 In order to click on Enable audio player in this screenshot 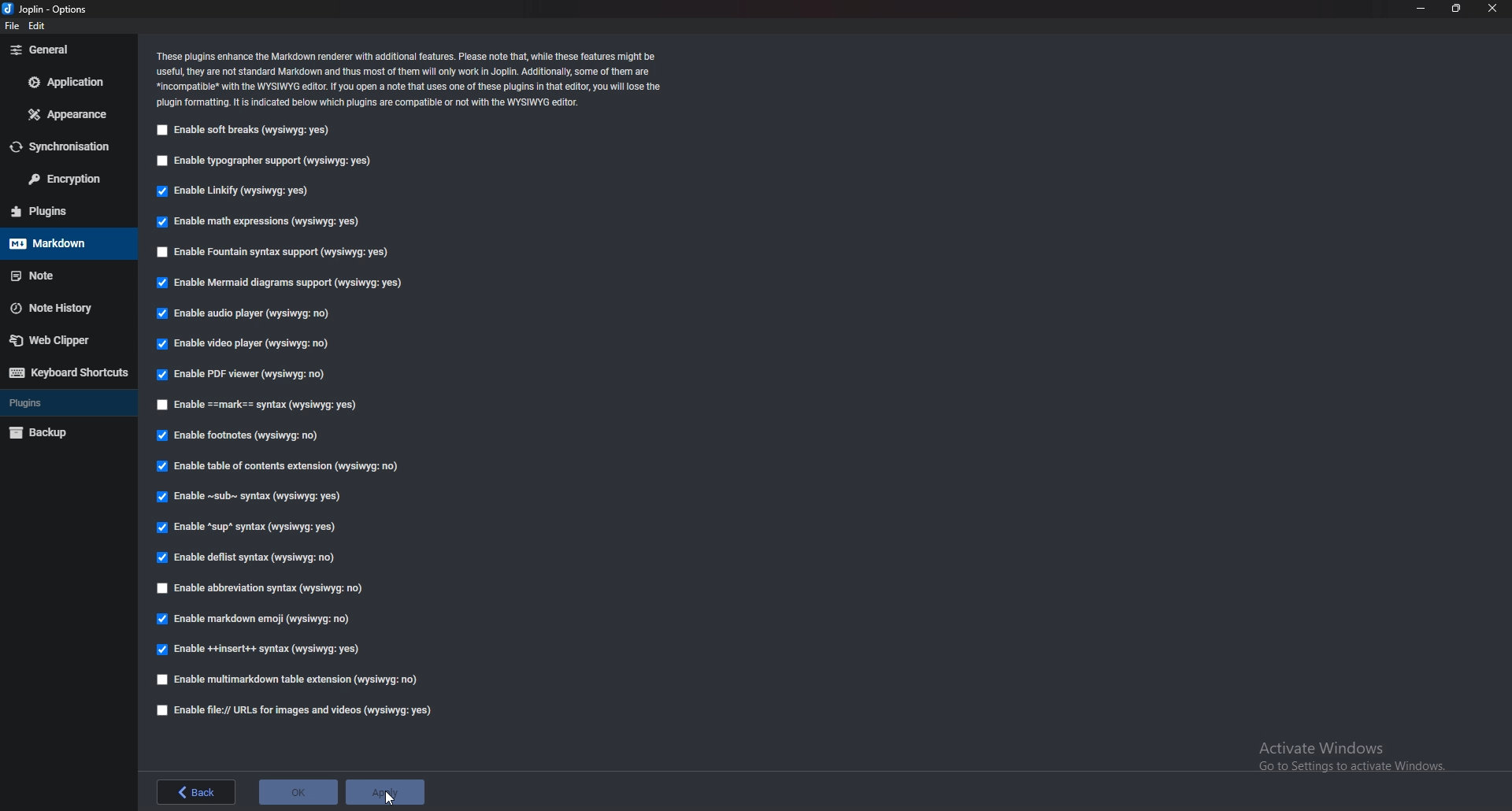, I will do `click(244, 314)`.